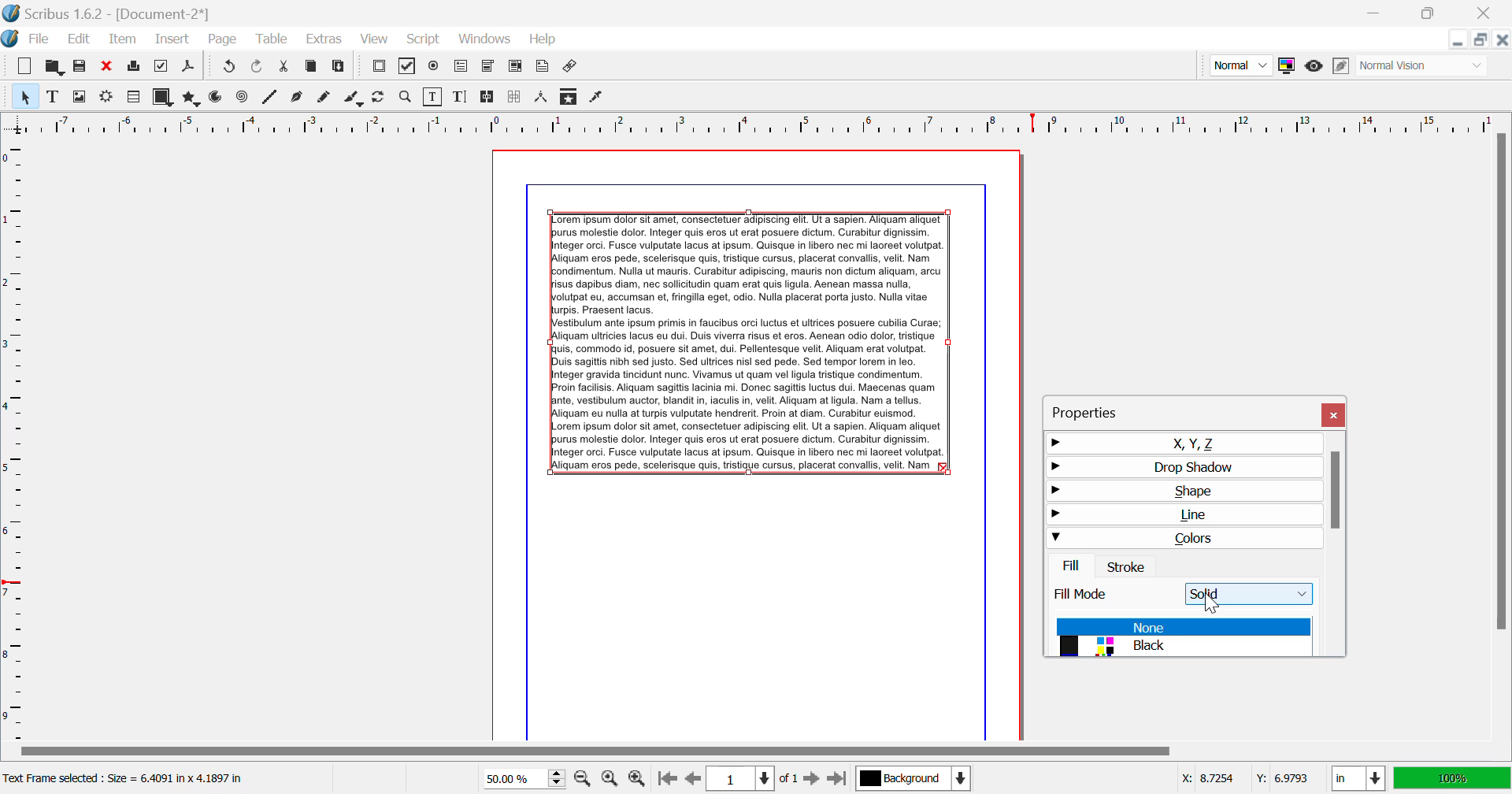 Image resolution: width=1512 pixels, height=794 pixels. What do you see at coordinates (354, 99) in the screenshot?
I see `Calligraphic Line` at bounding box center [354, 99].